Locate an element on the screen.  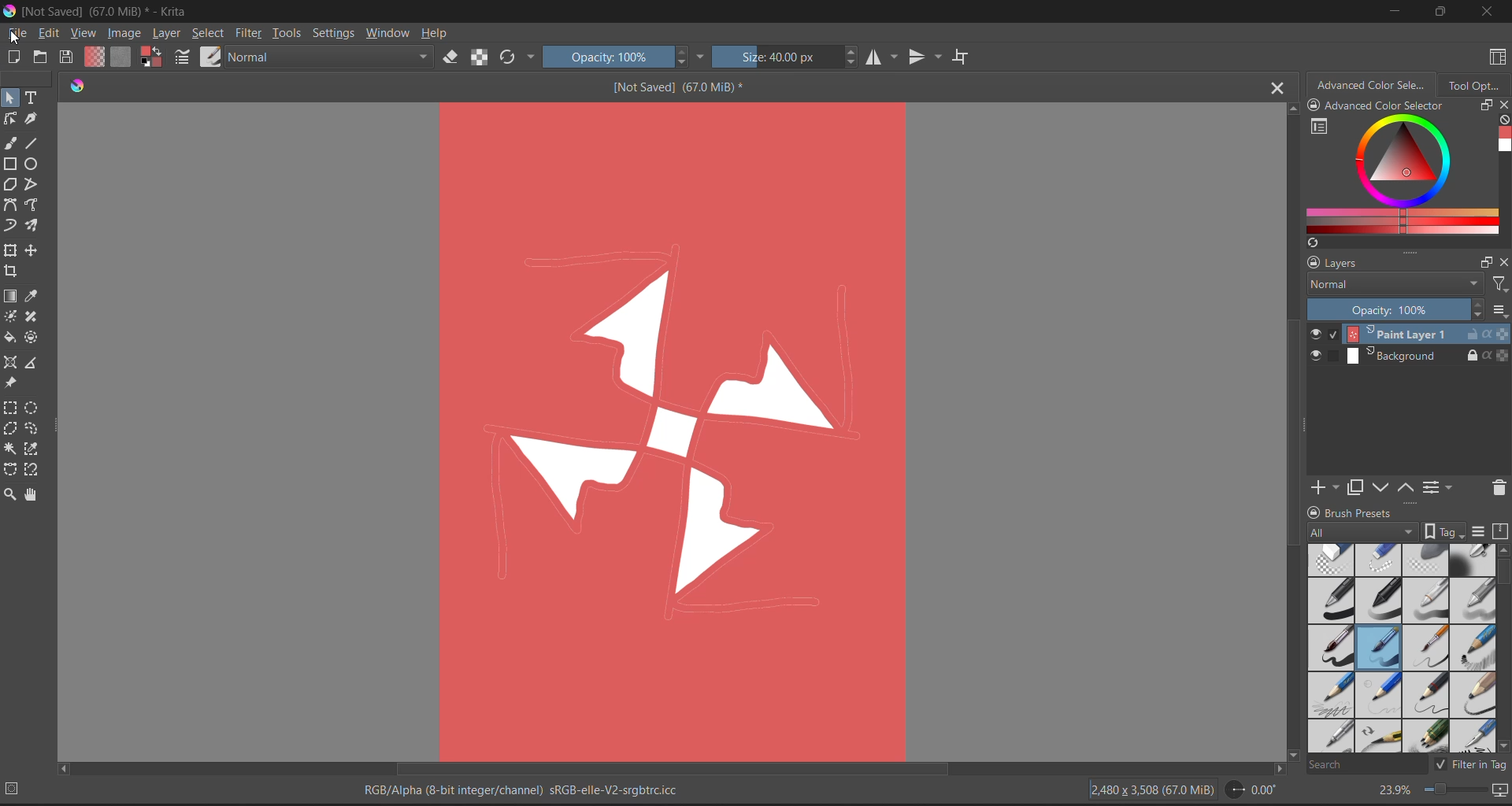
tools is located at coordinates (35, 338).